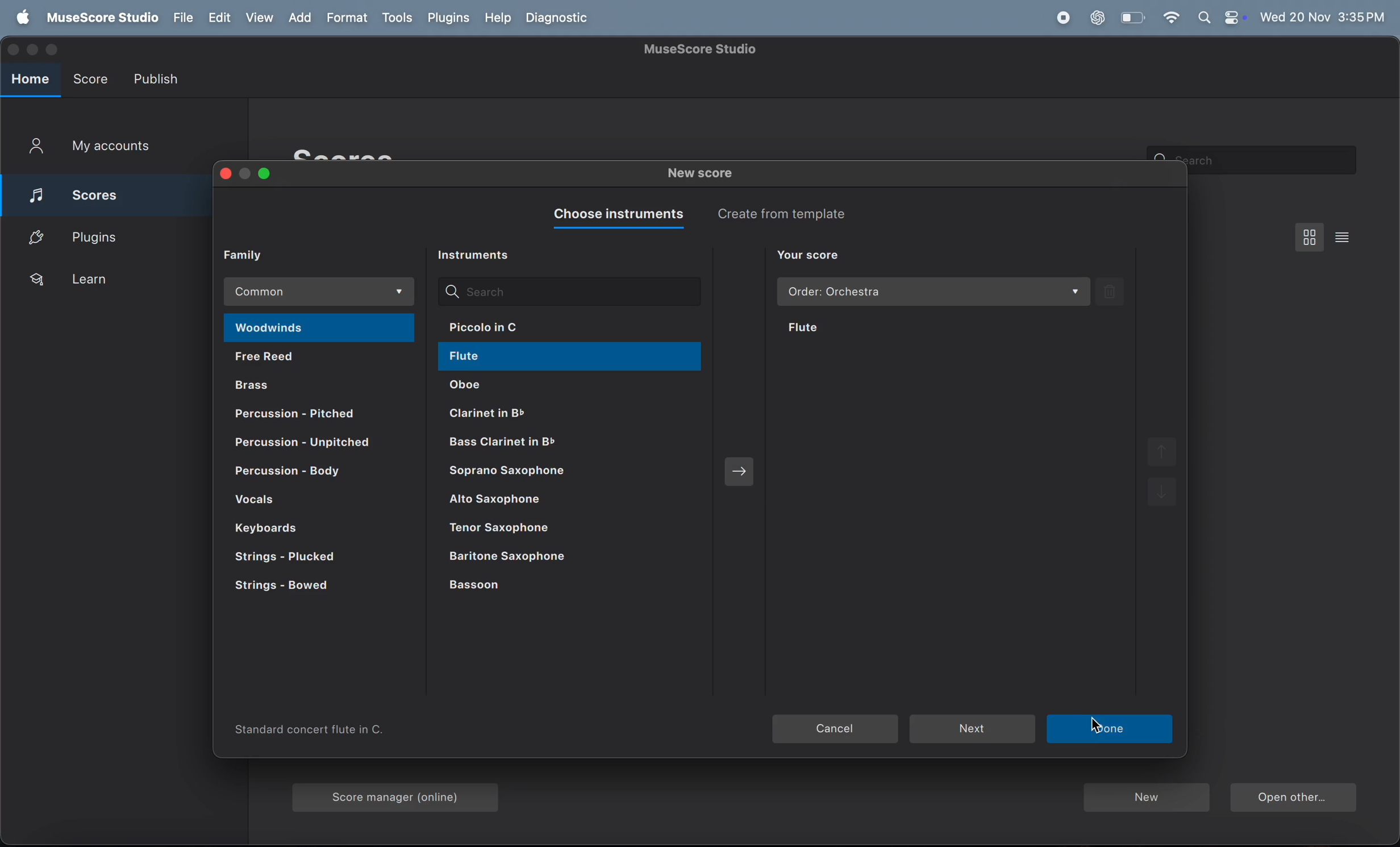 The height and width of the screenshot is (847, 1400). I want to click on score, so click(95, 192).